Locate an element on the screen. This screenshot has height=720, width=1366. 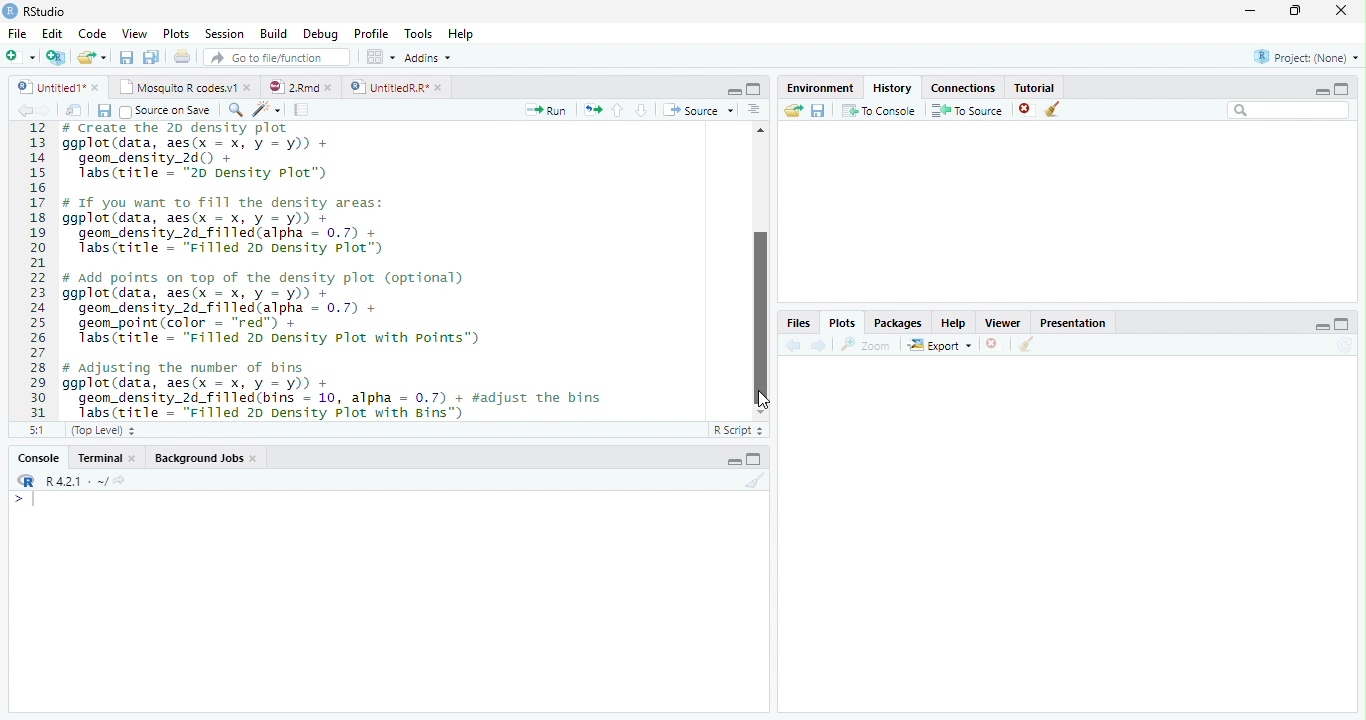
save all open document is located at coordinates (151, 56).